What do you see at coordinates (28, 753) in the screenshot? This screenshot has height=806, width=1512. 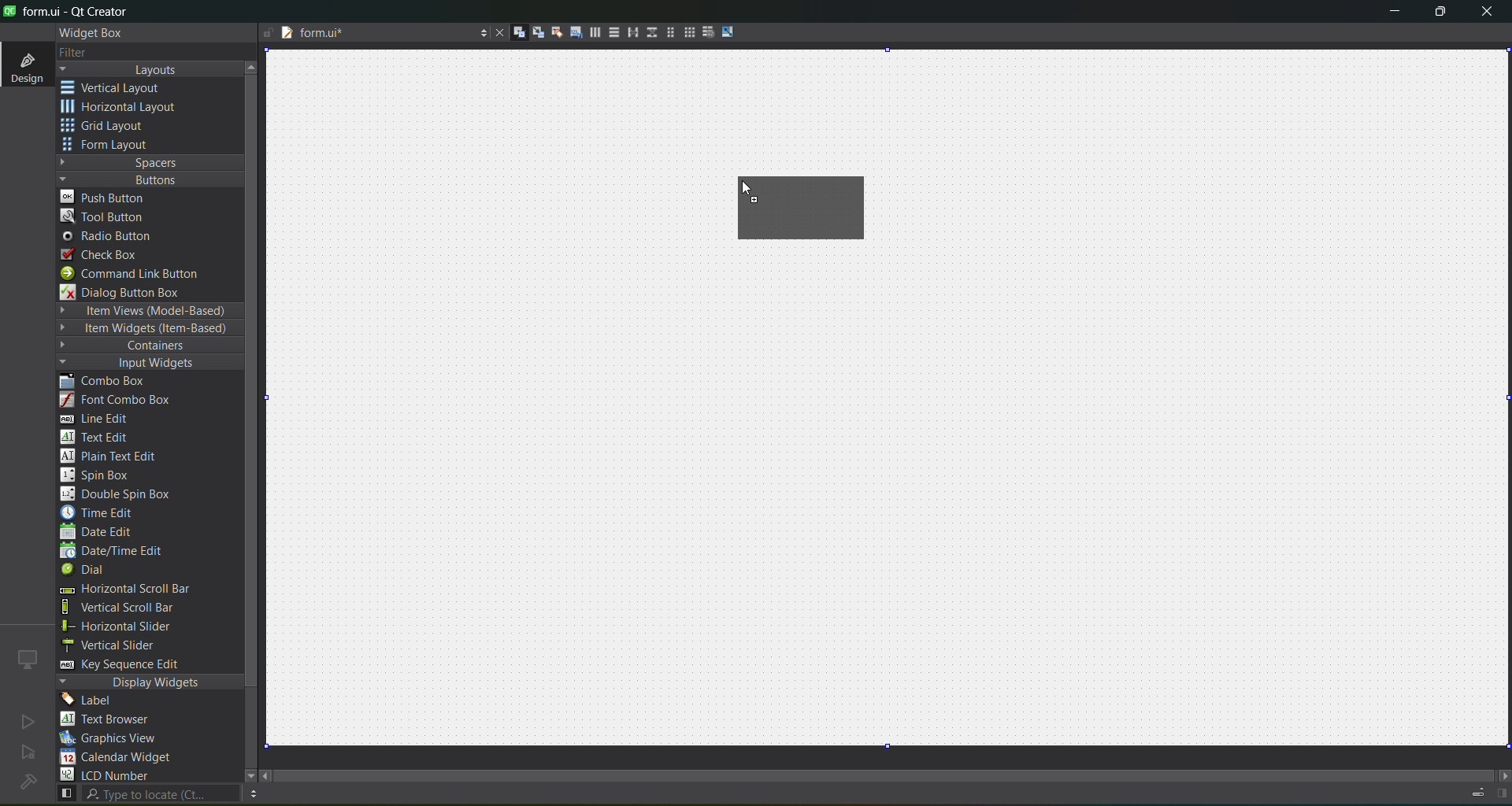 I see `no active project` at bounding box center [28, 753].